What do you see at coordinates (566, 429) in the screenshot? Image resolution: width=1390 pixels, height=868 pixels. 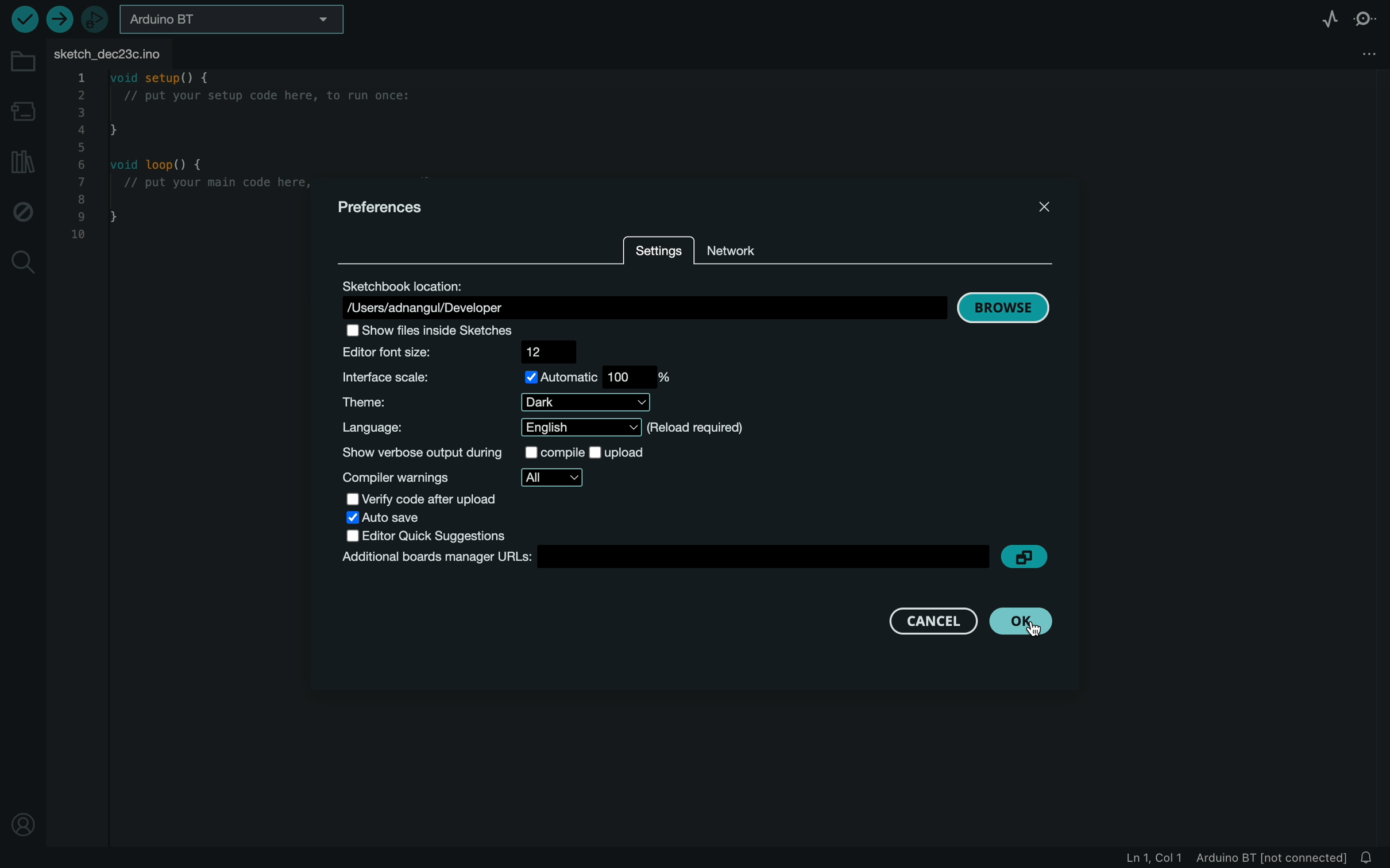 I see `language` at bounding box center [566, 429].